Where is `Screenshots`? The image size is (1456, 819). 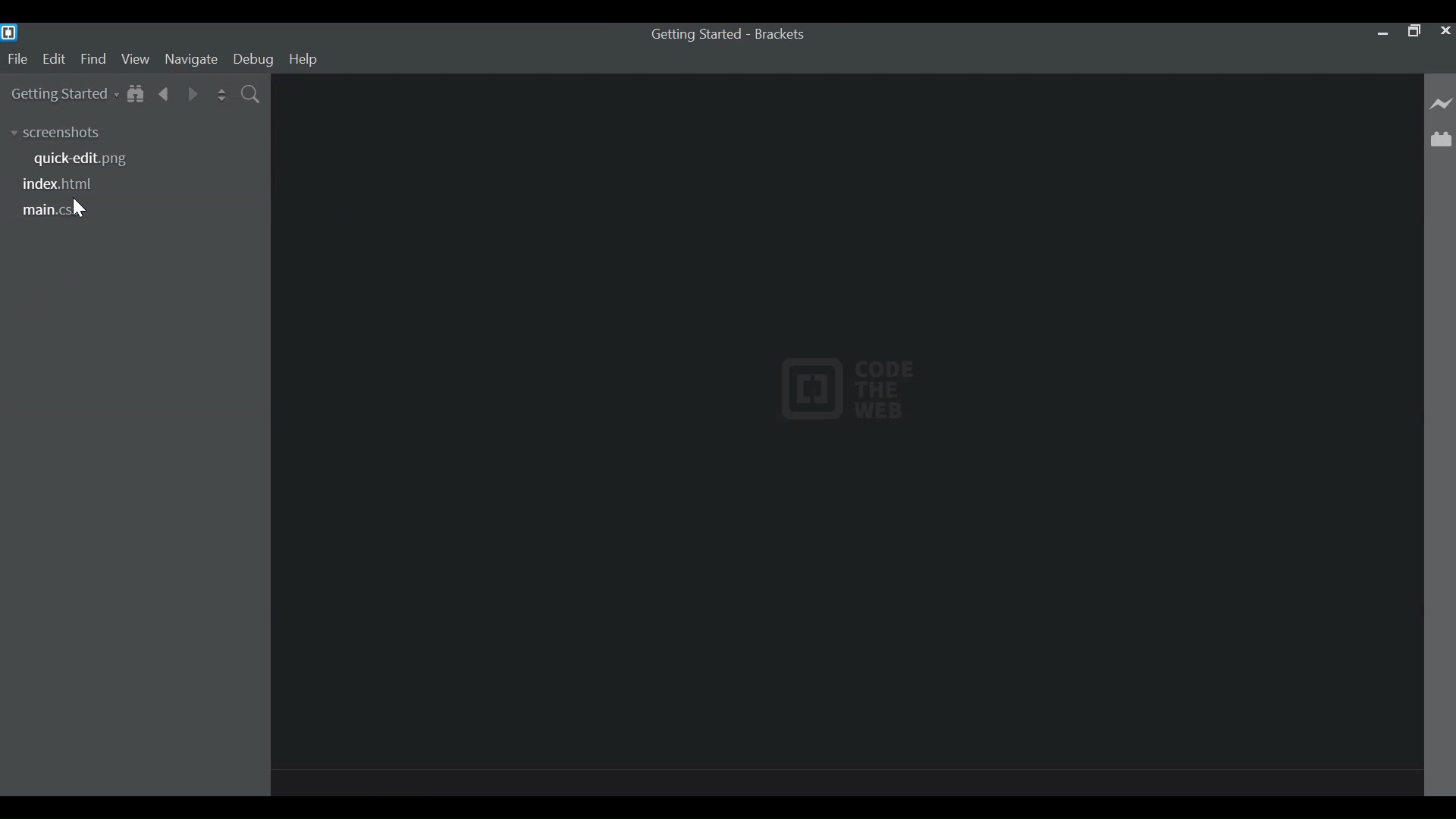 Screenshots is located at coordinates (61, 132).